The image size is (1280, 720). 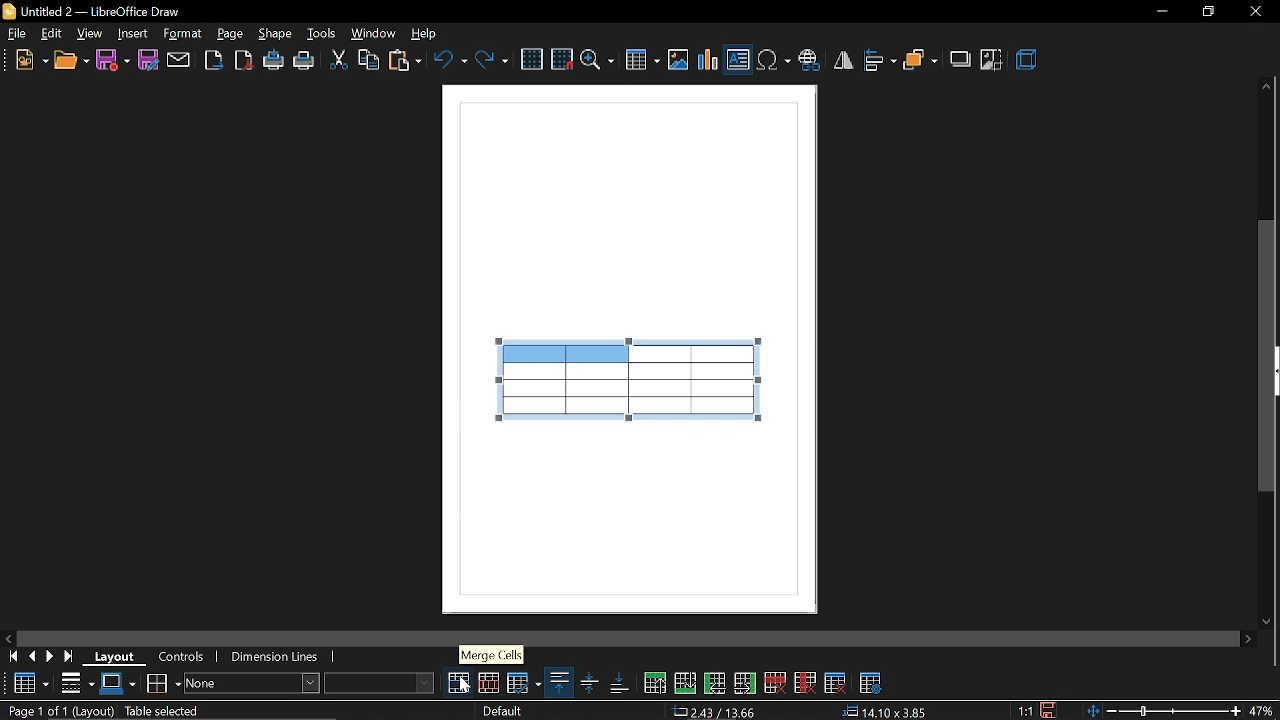 What do you see at coordinates (279, 659) in the screenshot?
I see `dimension lines` at bounding box center [279, 659].